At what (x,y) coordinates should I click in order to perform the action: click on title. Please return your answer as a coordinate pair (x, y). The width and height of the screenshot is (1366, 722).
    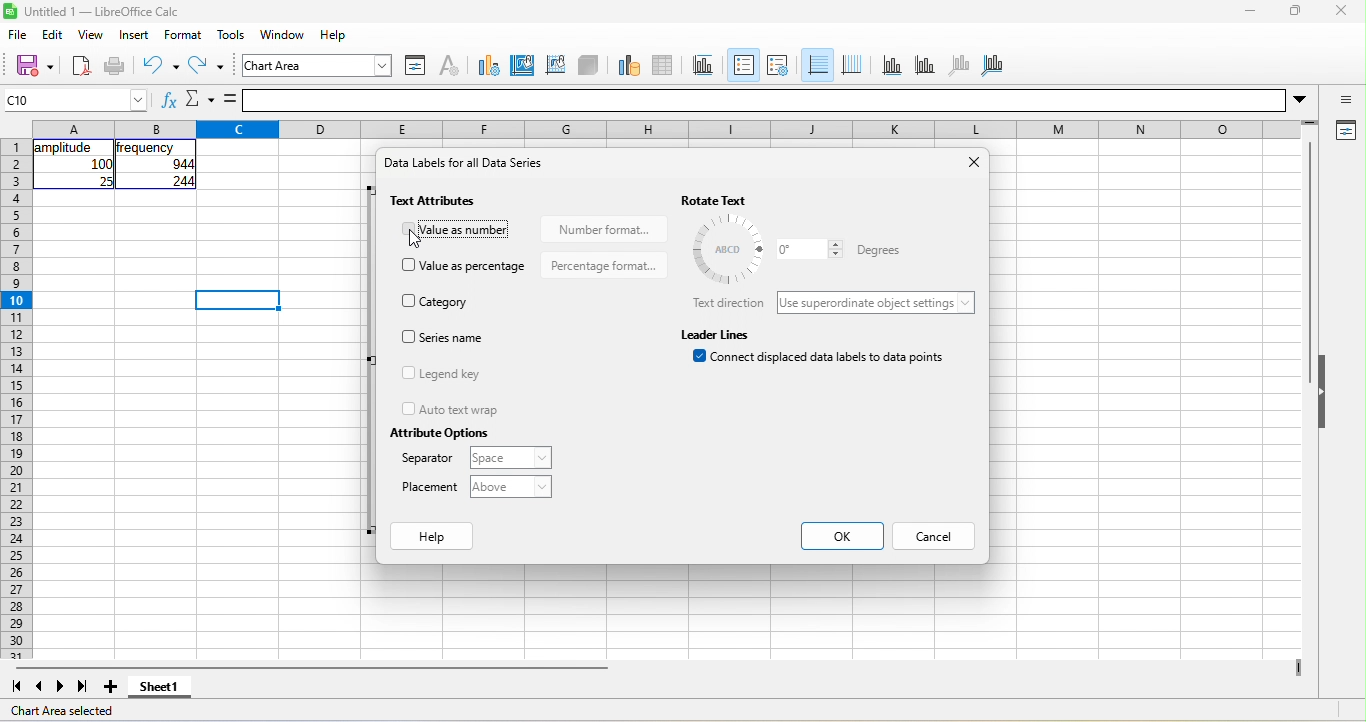
    Looking at the image, I should click on (707, 65).